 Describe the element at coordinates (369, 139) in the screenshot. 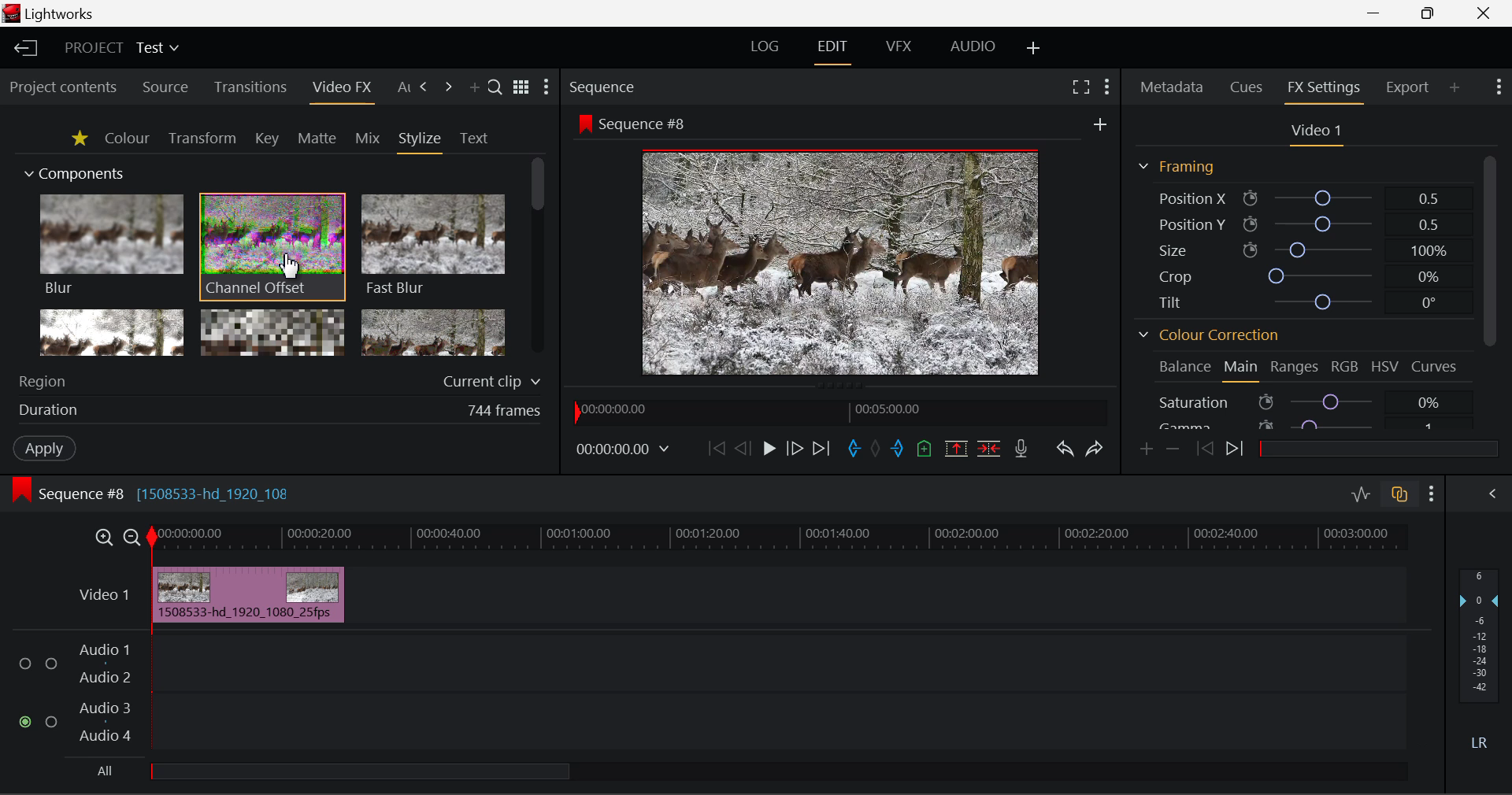

I see `Mix` at that location.